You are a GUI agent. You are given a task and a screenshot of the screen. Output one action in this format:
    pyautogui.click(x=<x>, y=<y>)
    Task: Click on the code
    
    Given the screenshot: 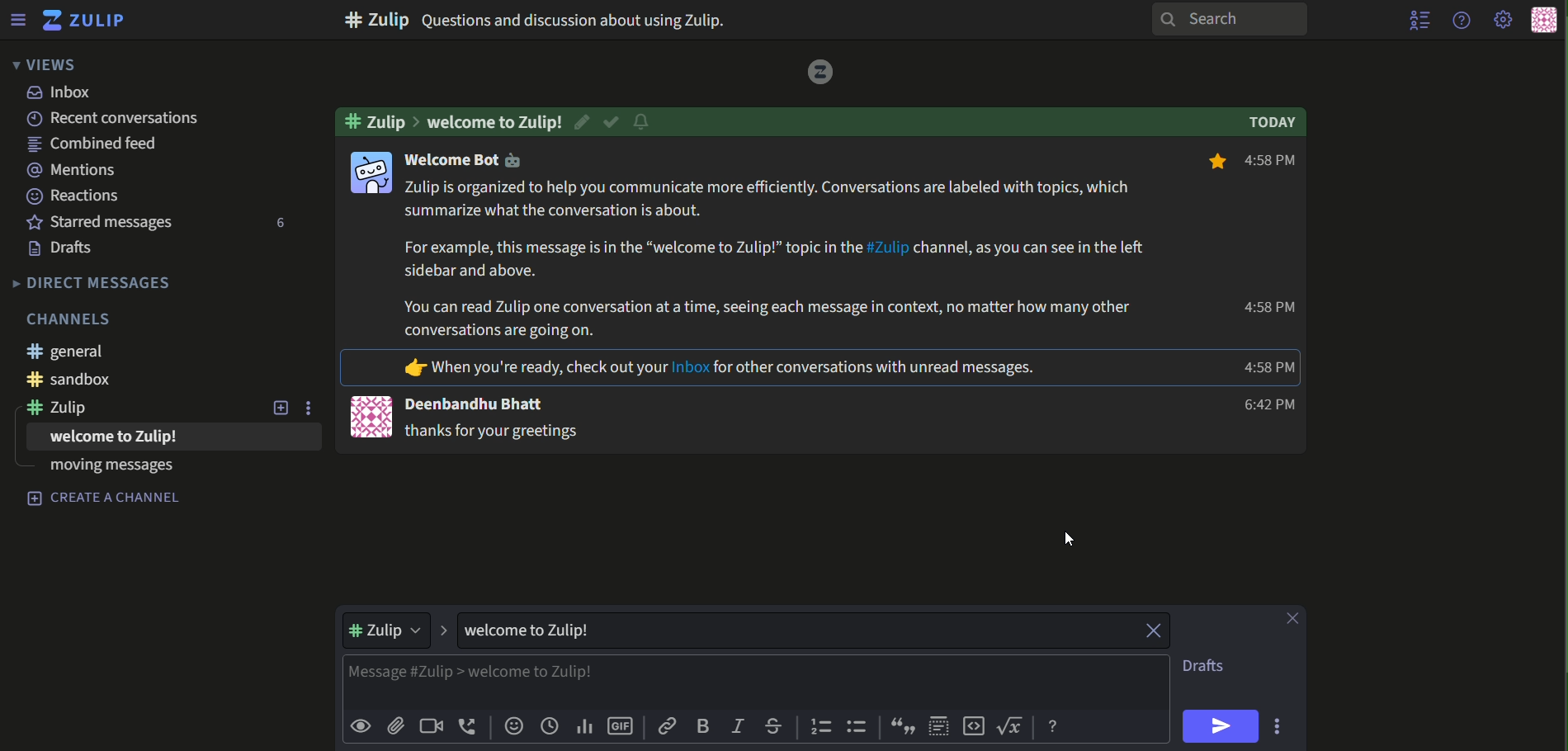 What is the action you would take?
    pyautogui.click(x=974, y=727)
    